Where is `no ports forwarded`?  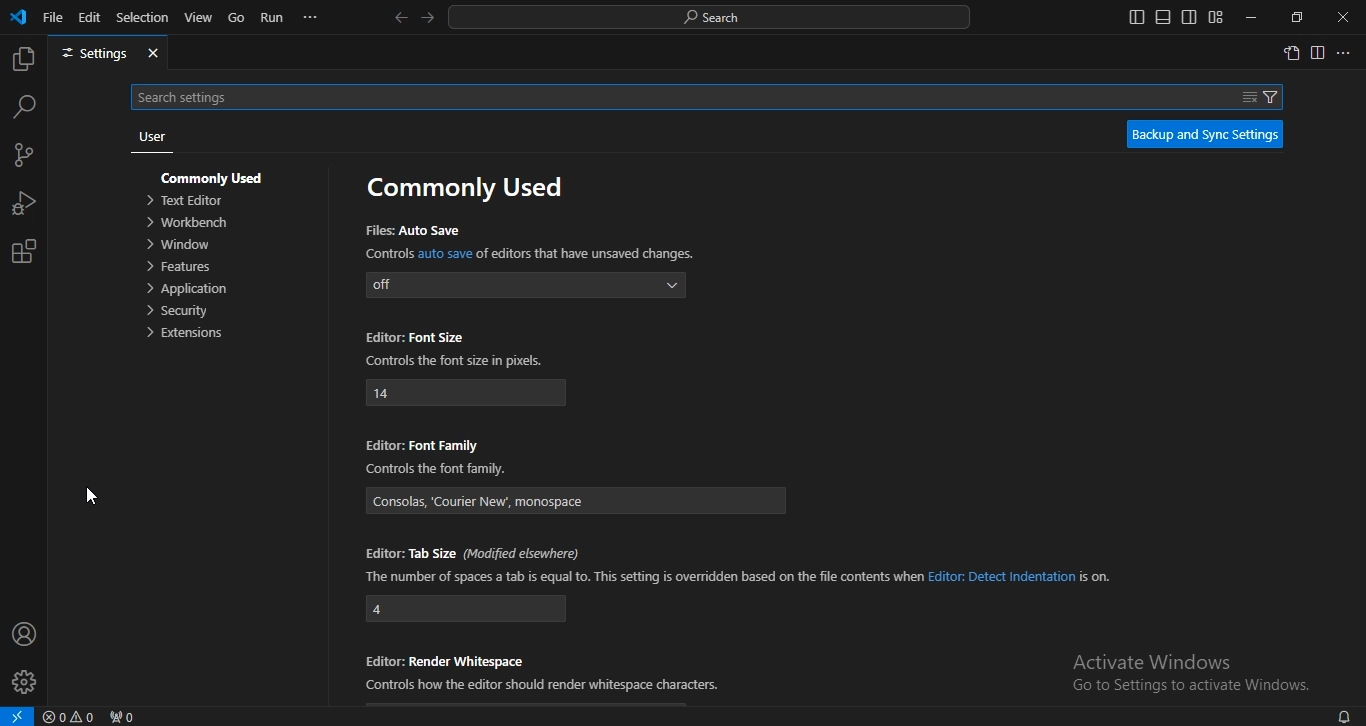 no ports forwarded is located at coordinates (124, 716).